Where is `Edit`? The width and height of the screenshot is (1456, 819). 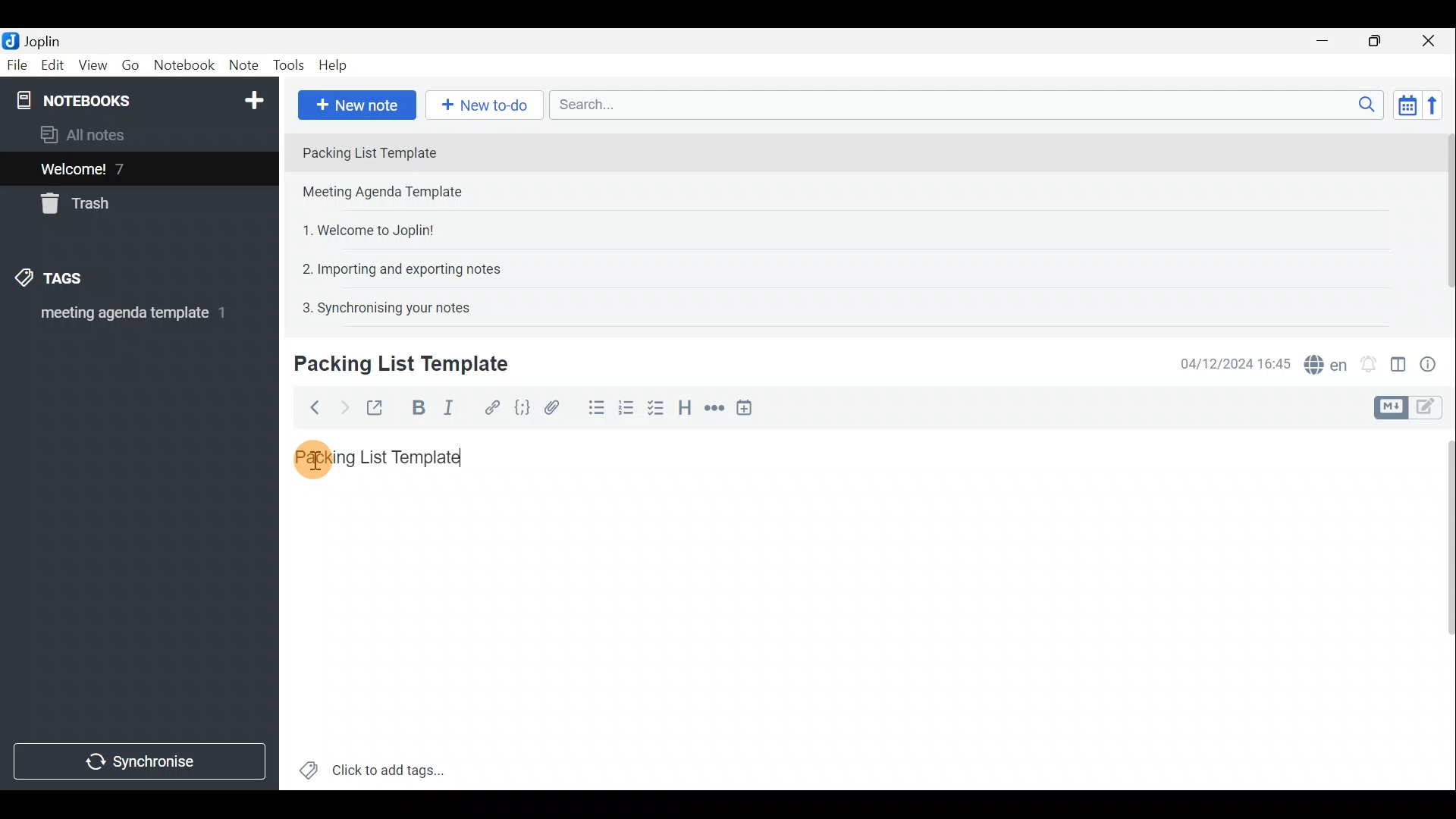 Edit is located at coordinates (49, 66).